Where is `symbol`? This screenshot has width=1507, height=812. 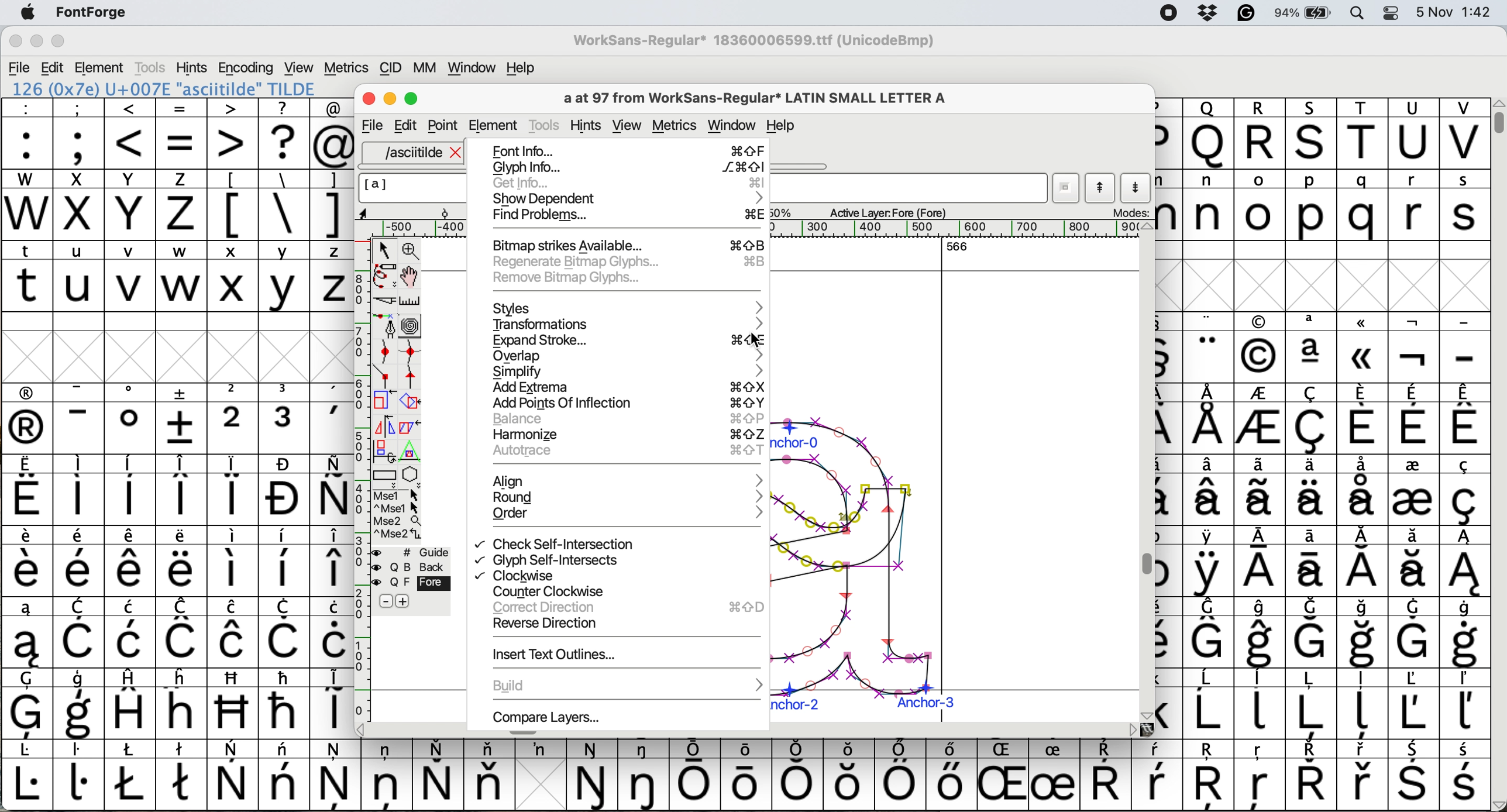
symbol is located at coordinates (1312, 347).